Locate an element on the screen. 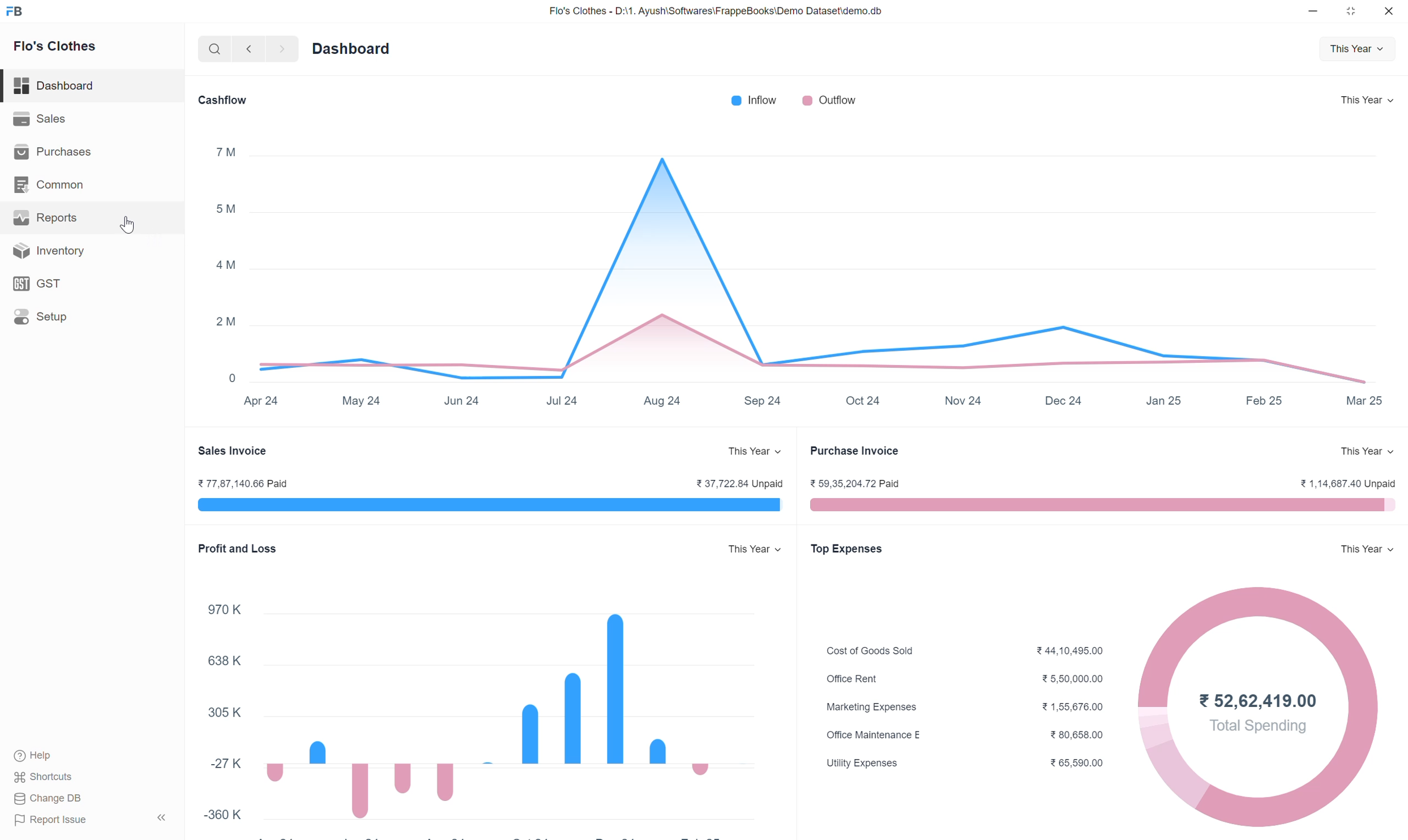 This screenshot has width=1408, height=840. Sep 24 is located at coordinates (759, 401).